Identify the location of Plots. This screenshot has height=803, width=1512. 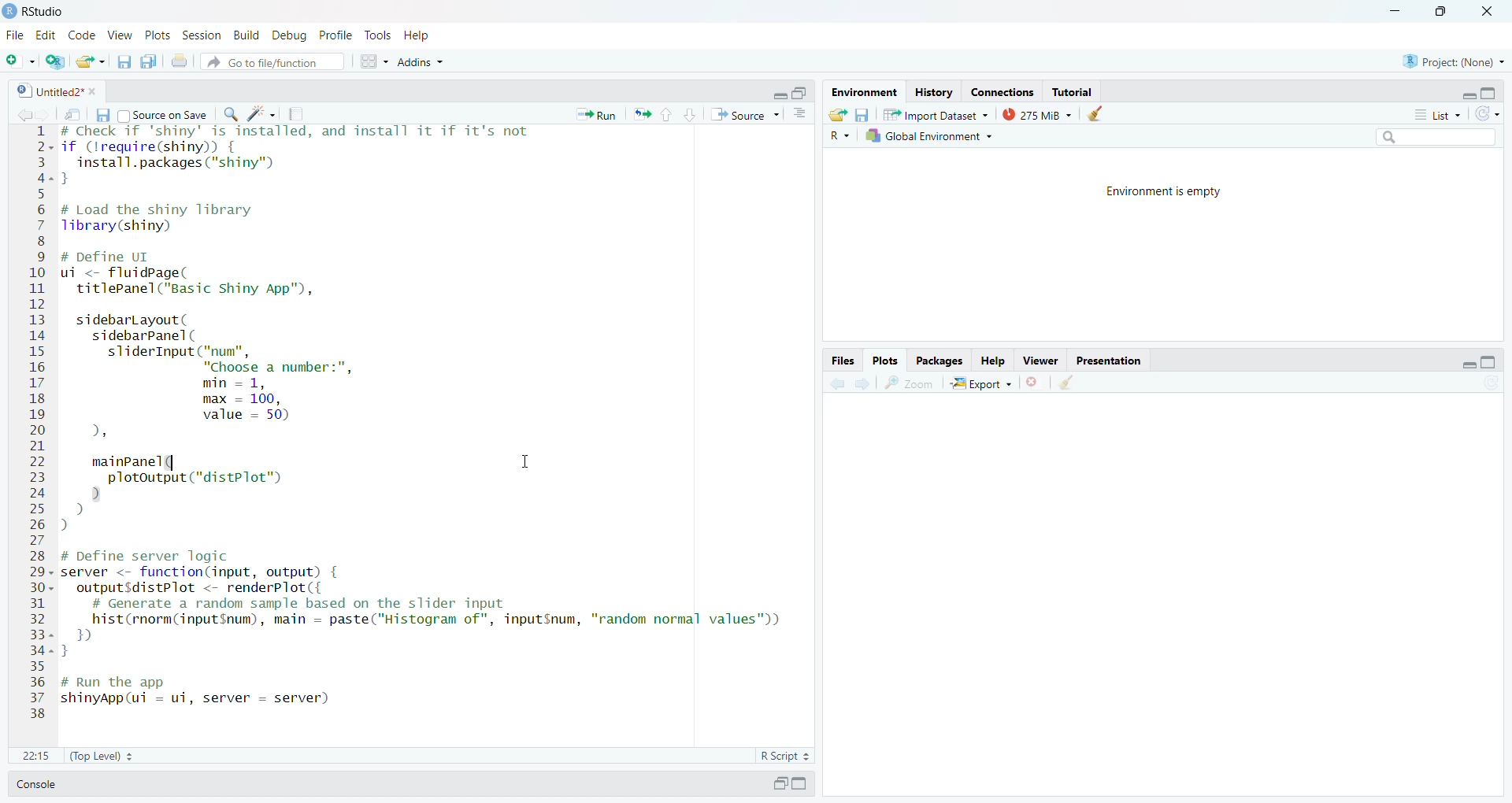
(884, 361).